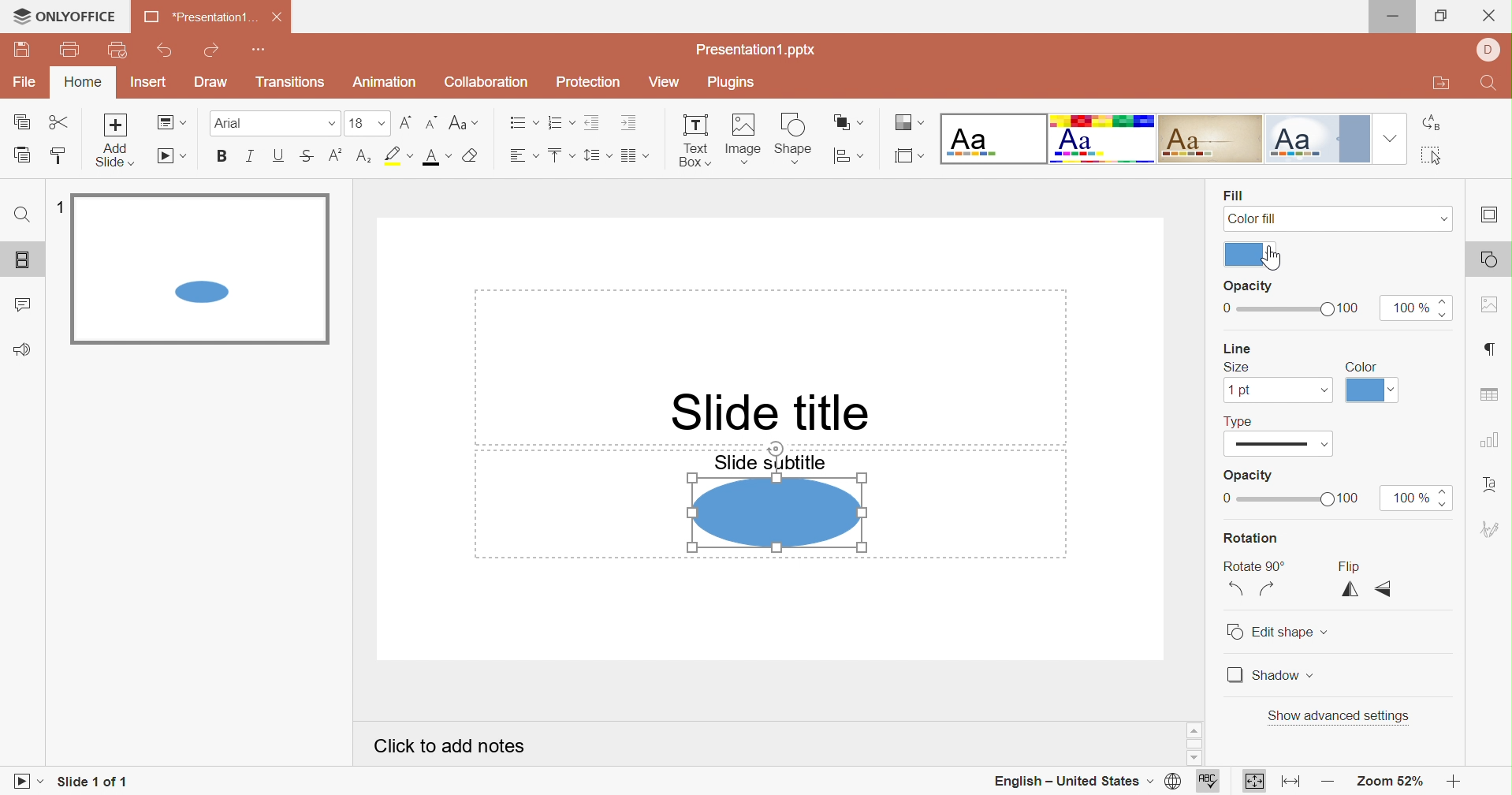  Describe the element at coordinates (1198, 760) in the screenshot. I see `Scroll down` at that location.